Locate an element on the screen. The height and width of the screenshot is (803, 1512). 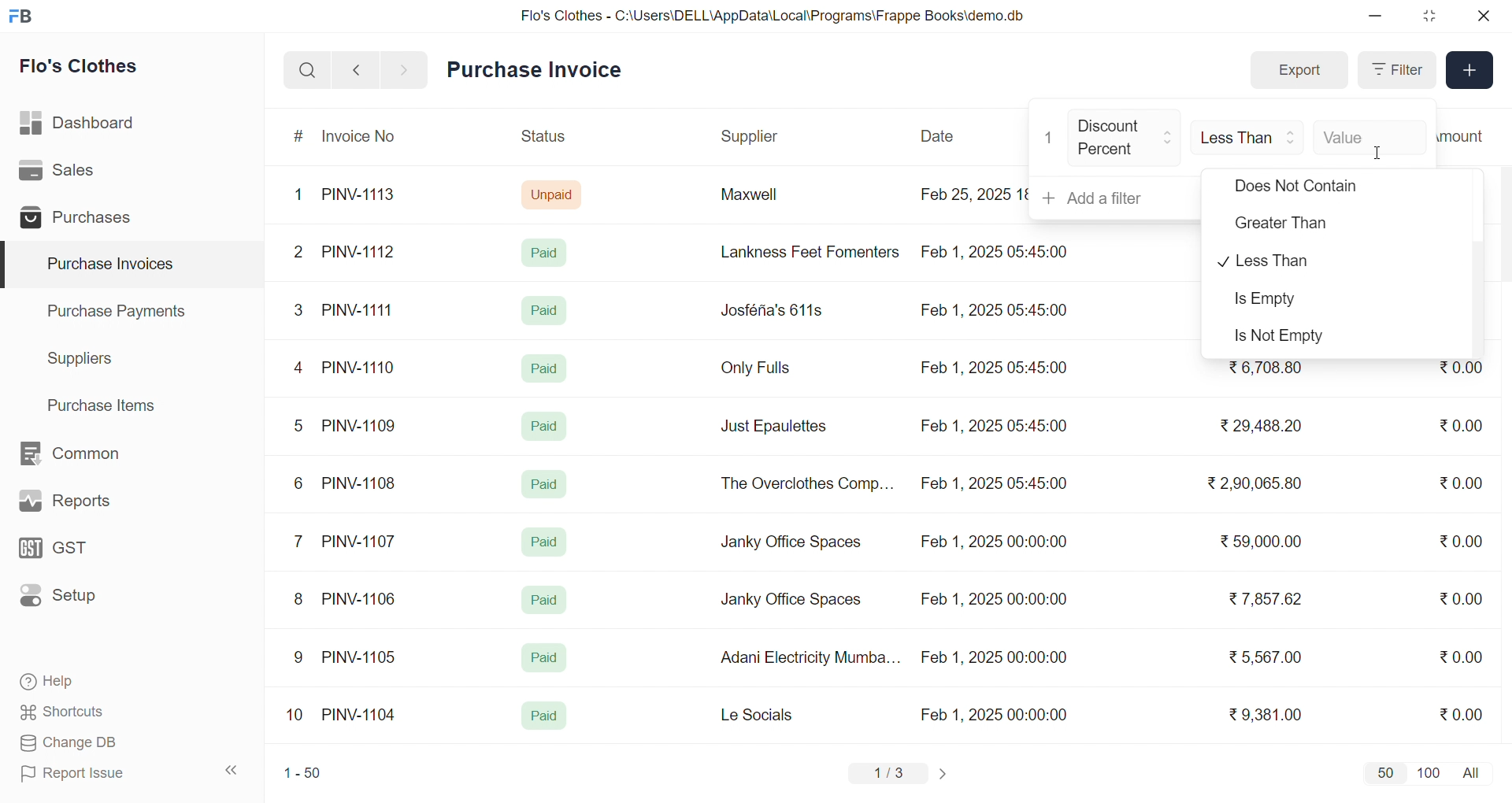
₹ 7,857.62 is located at coordinates (1267, 599).